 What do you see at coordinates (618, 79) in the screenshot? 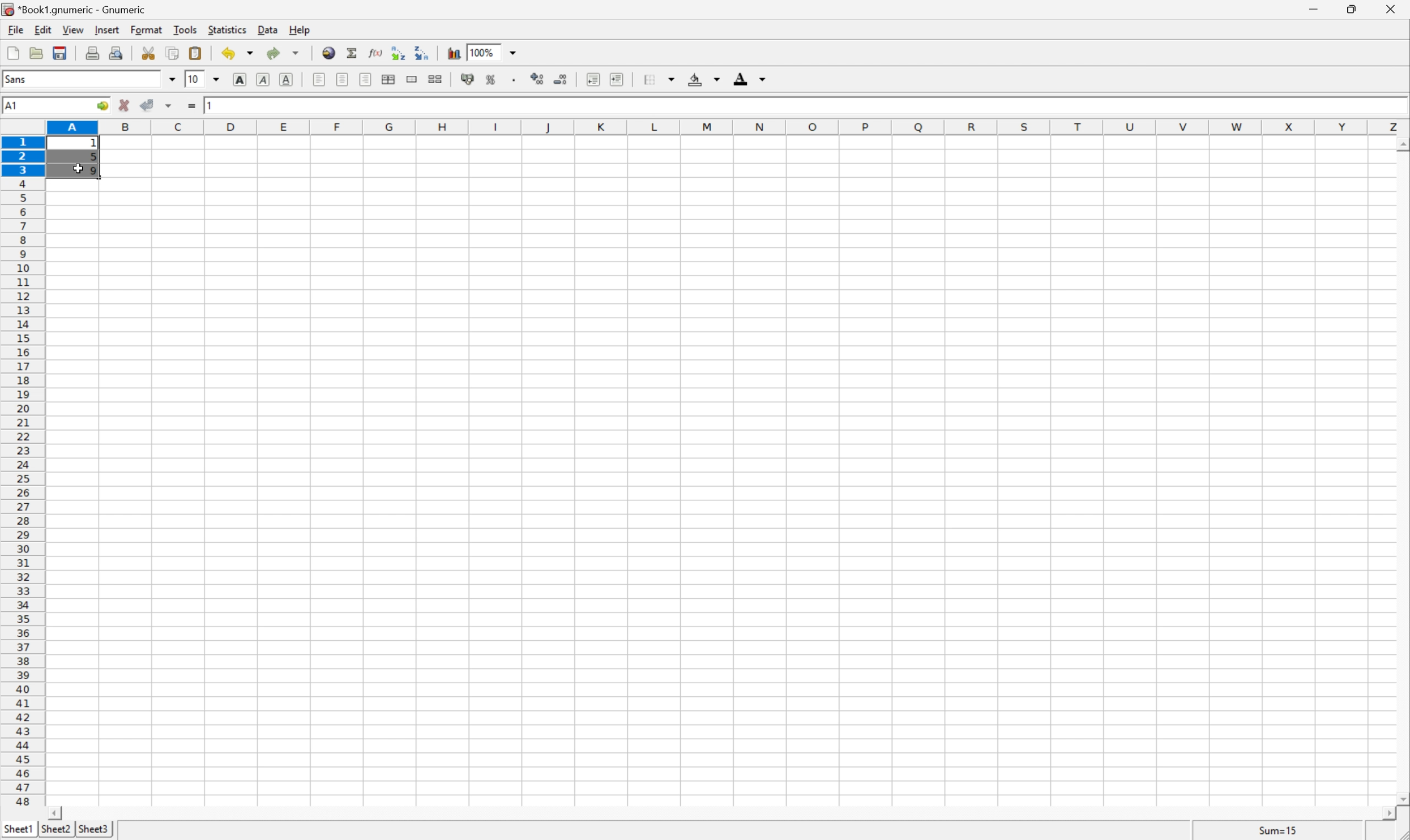
I see `increase indent` at bounding box center [618, 79].